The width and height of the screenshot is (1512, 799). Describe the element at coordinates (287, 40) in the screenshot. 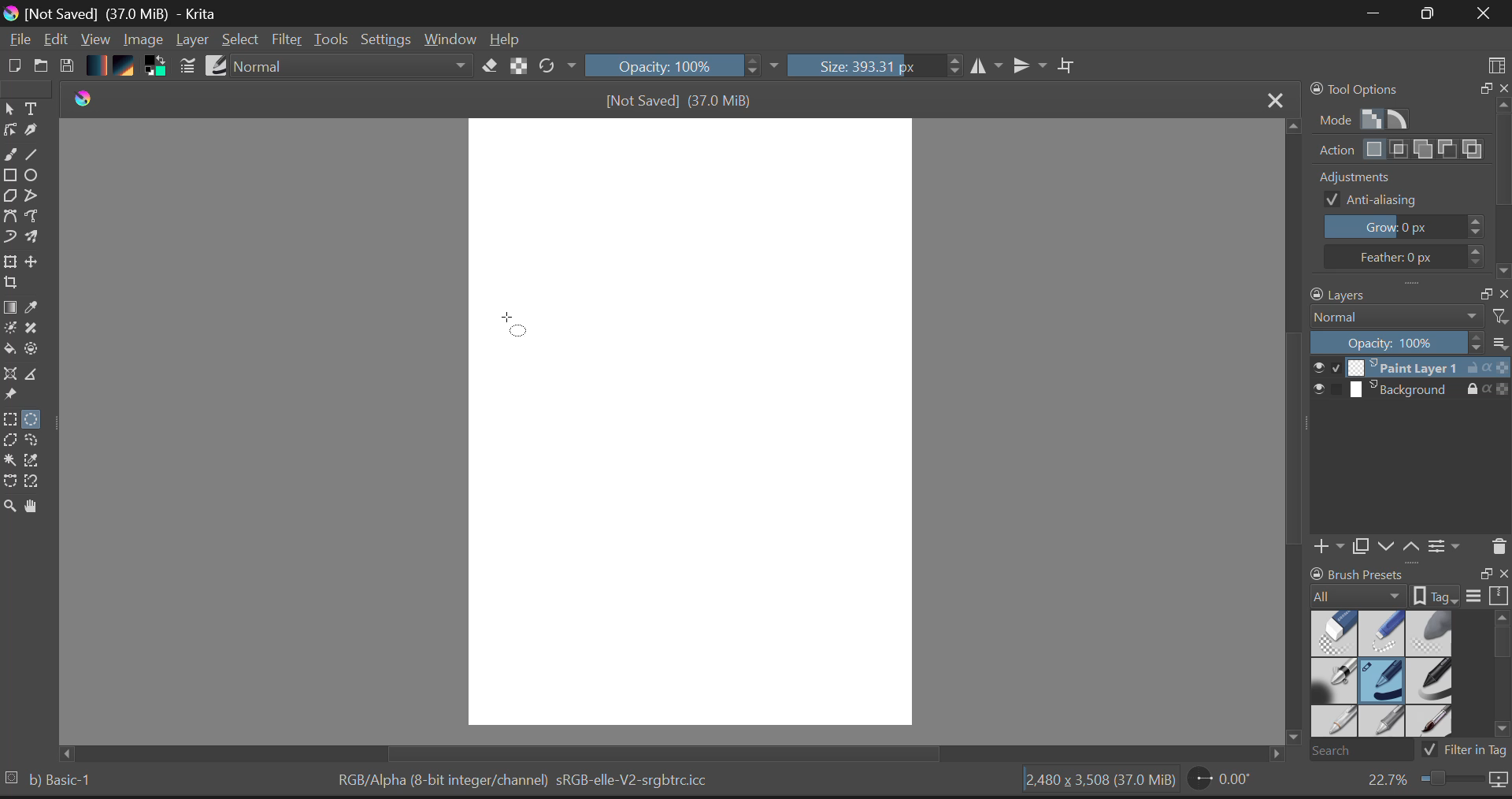

I see `Filter` at that location.